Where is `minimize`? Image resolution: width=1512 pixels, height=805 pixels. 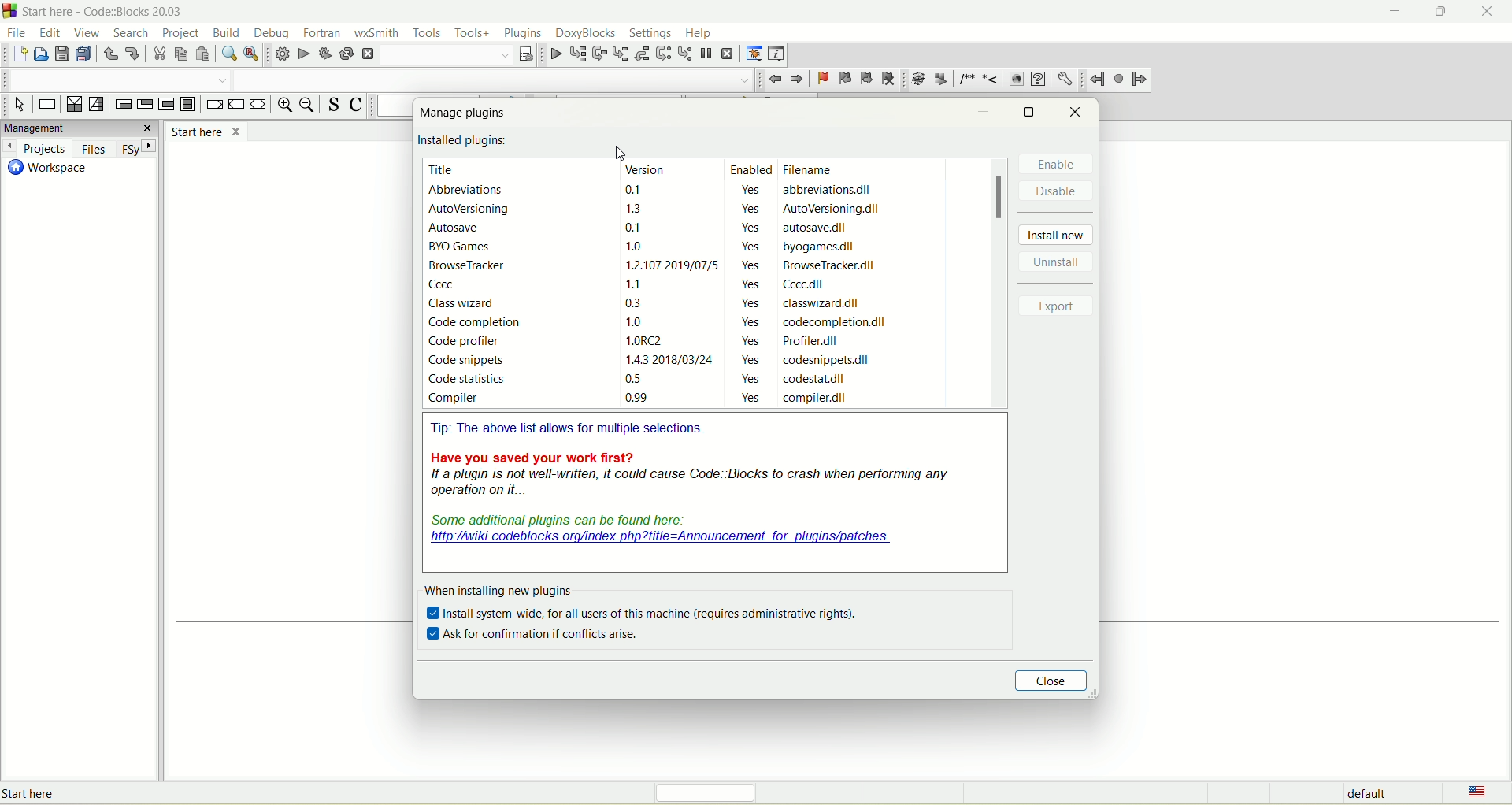 minimize is located at coordinates (983, 113).